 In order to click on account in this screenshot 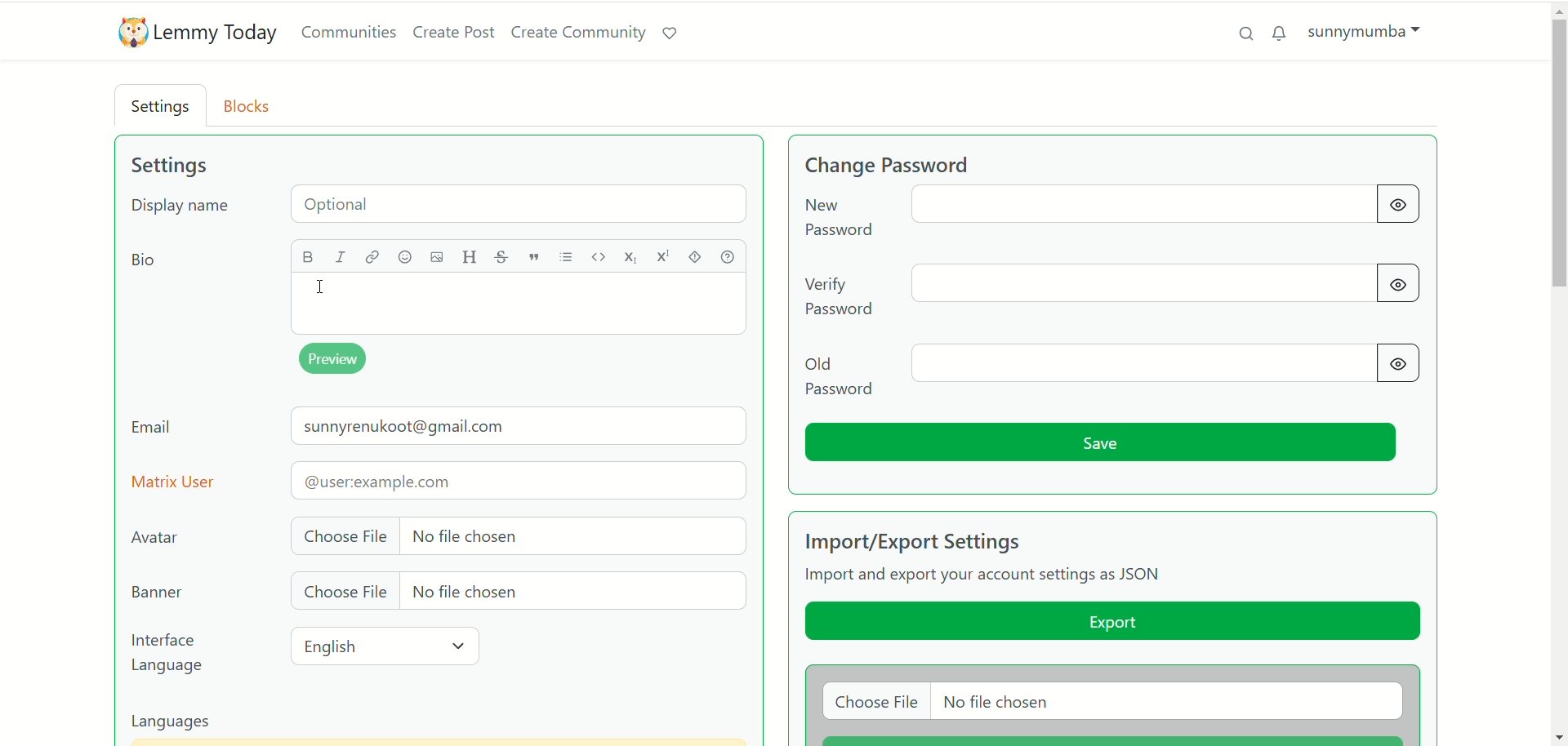, I will do `click(1365, 30)`.